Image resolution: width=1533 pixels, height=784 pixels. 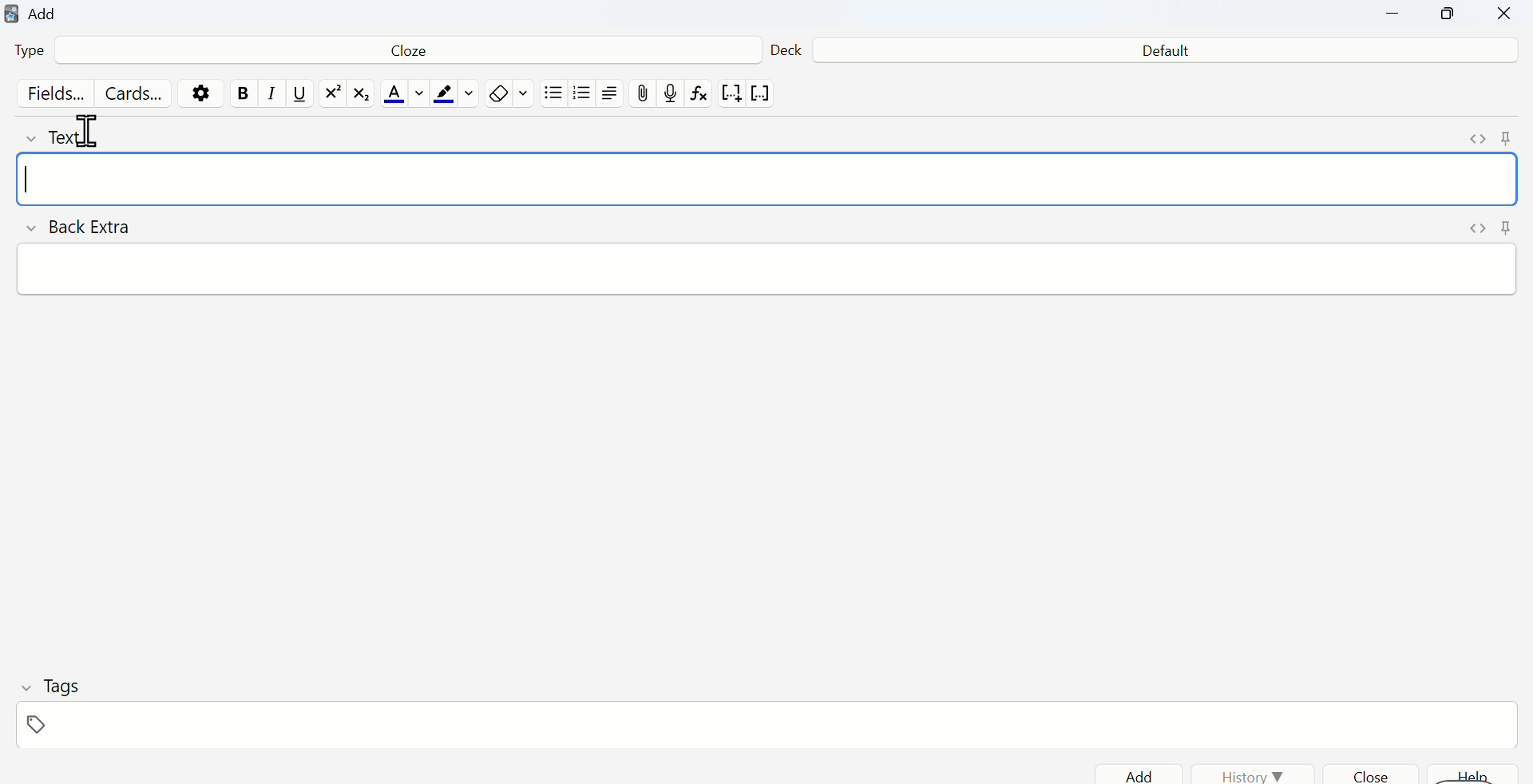 What do you see at coordinates (671, 94) in the screenshot?
I see `record` at bounding box center [671, 94].